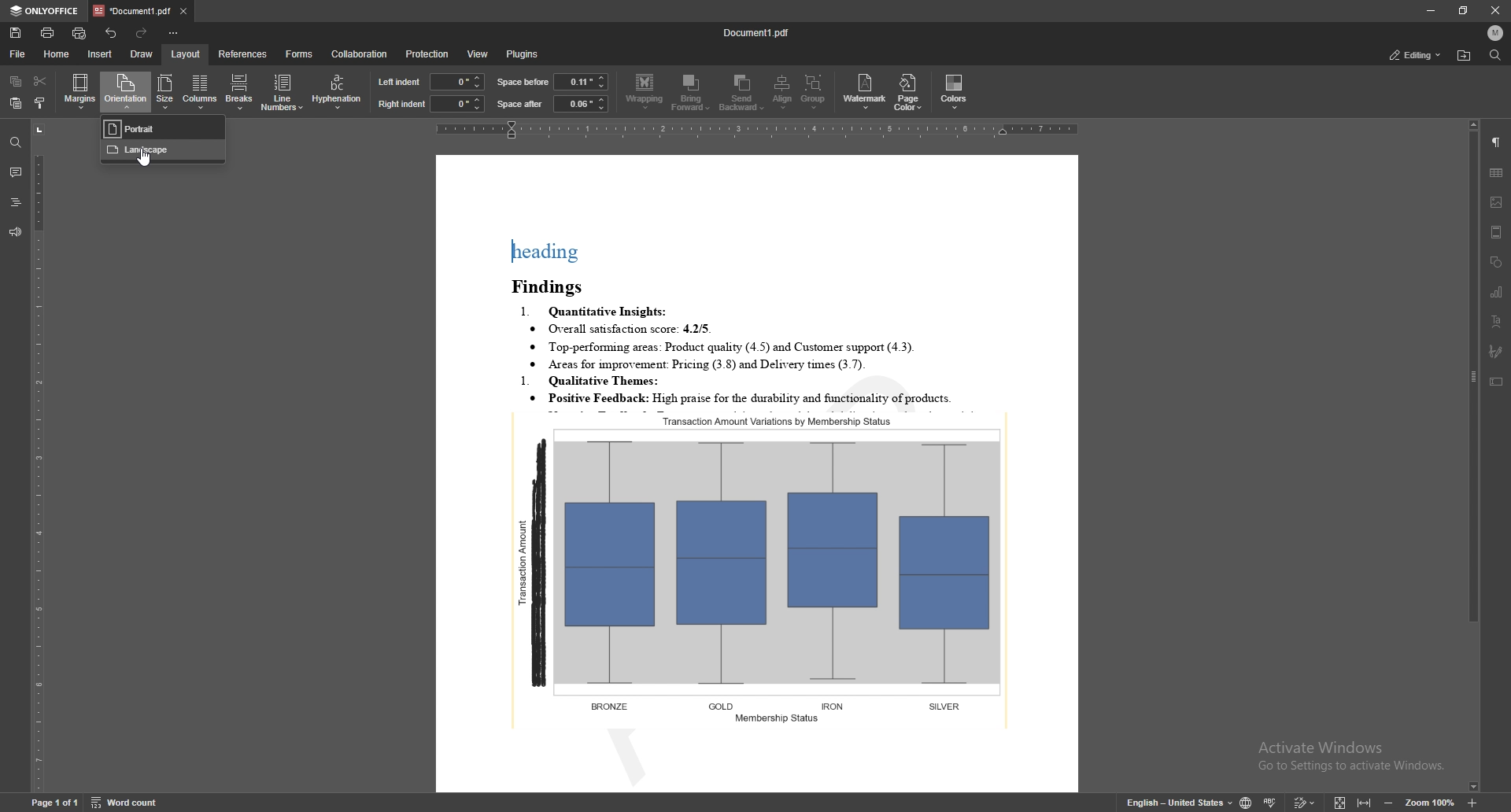  Describe the element at coordinates (244, 54) in the screenshot. I see `references` at that location.